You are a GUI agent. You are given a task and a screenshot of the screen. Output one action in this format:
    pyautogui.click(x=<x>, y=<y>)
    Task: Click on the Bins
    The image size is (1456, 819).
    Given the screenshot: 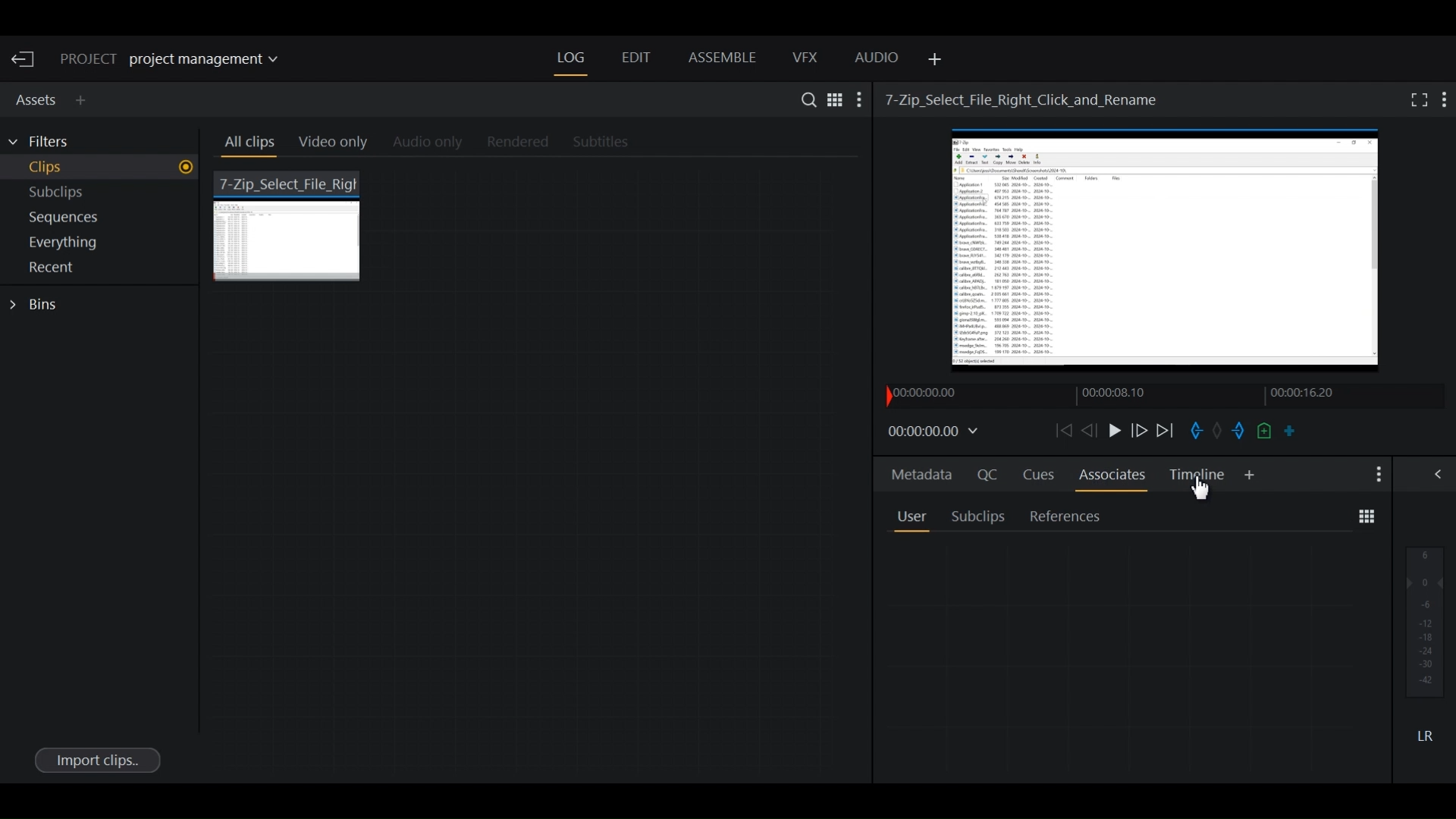 What is the action you would take?
    pyautogui.click(x=38, y=305)
    